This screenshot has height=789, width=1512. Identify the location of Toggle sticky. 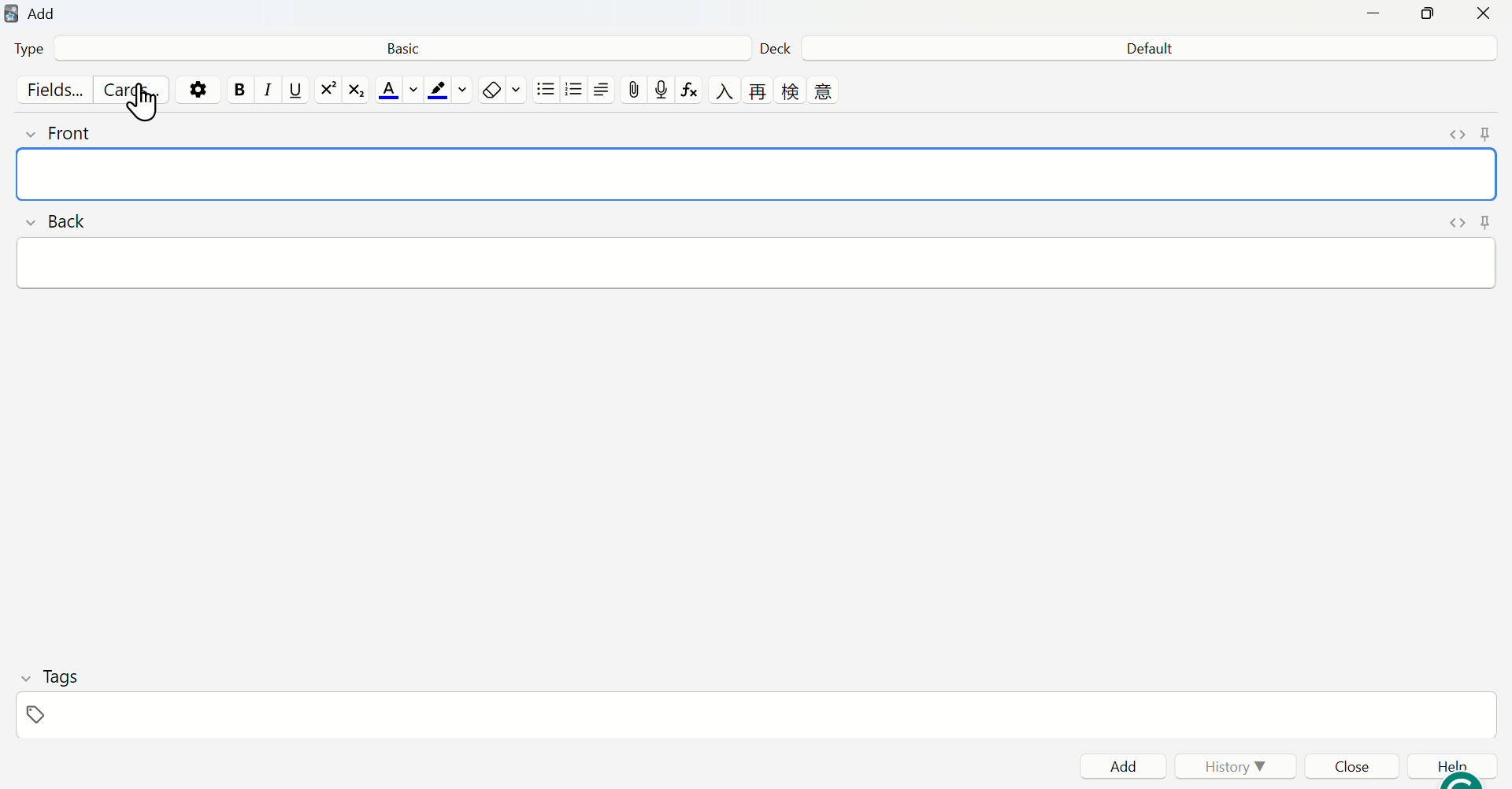
(1489, 132).